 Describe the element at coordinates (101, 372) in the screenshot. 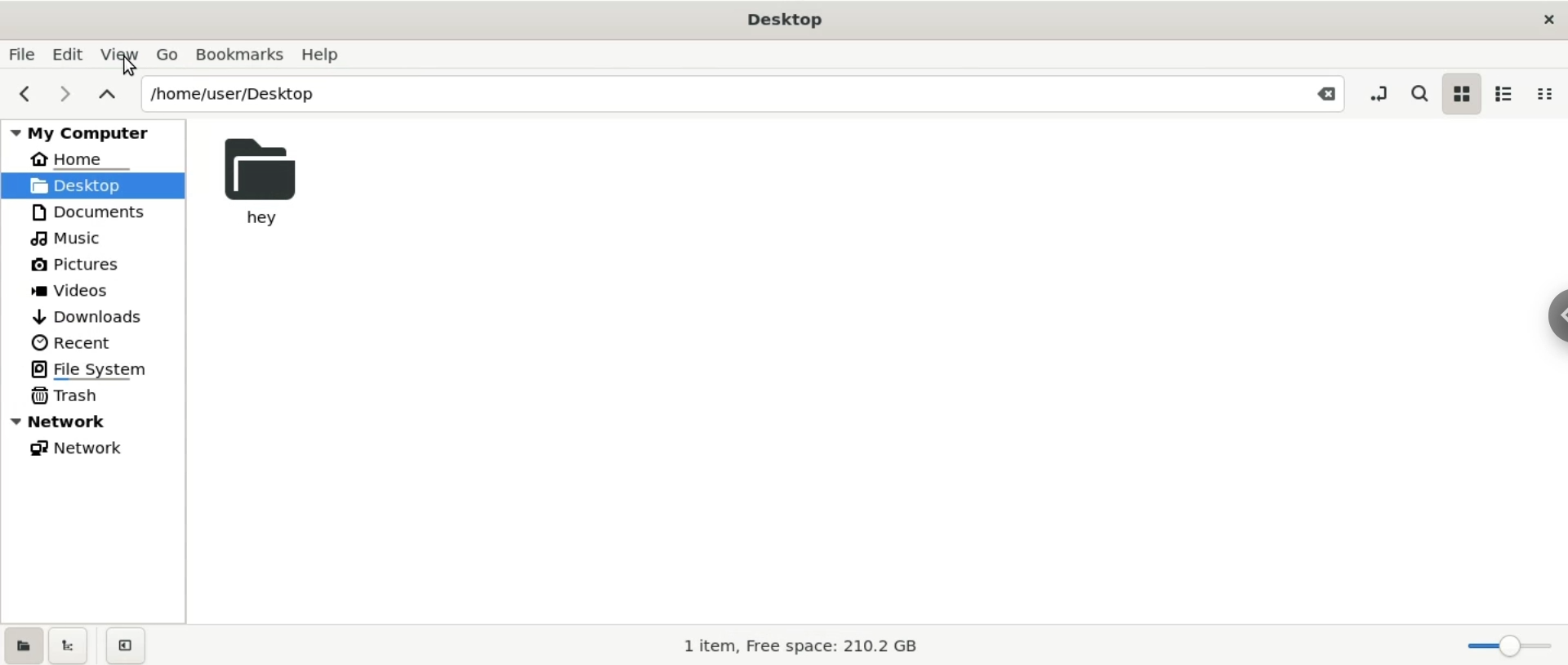

I see `File System` at that location.